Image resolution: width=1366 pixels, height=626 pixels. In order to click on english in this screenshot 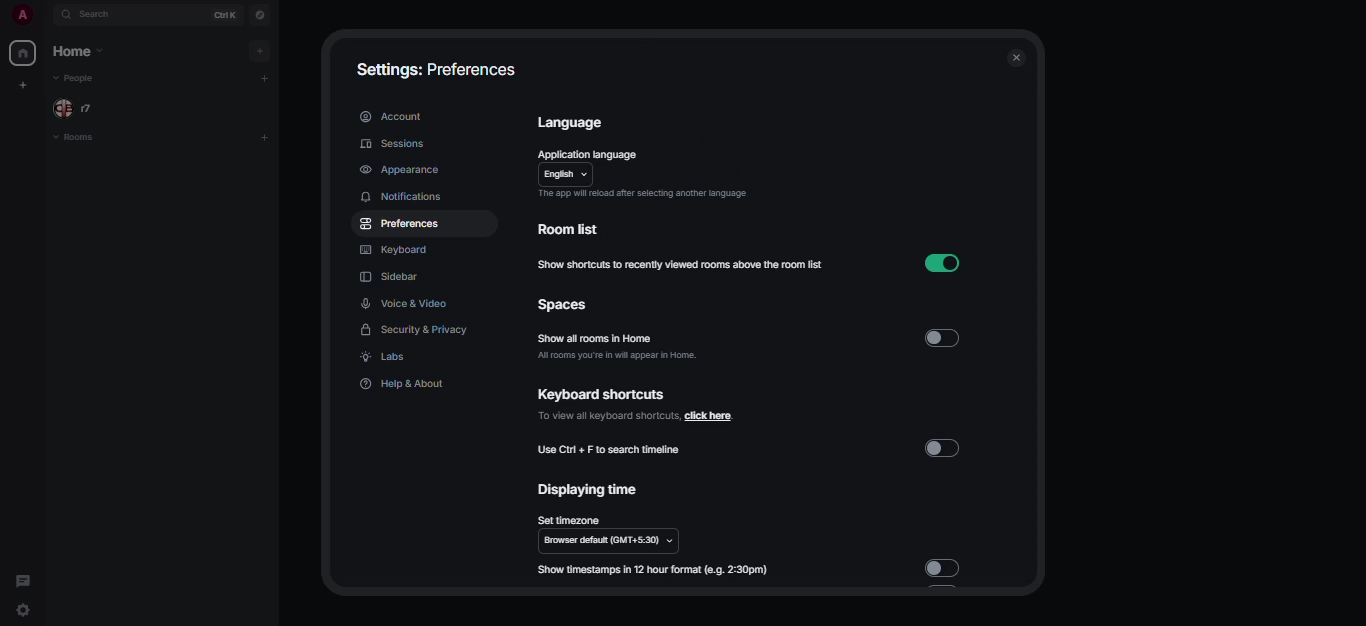, I will do `click(568, 175)`.